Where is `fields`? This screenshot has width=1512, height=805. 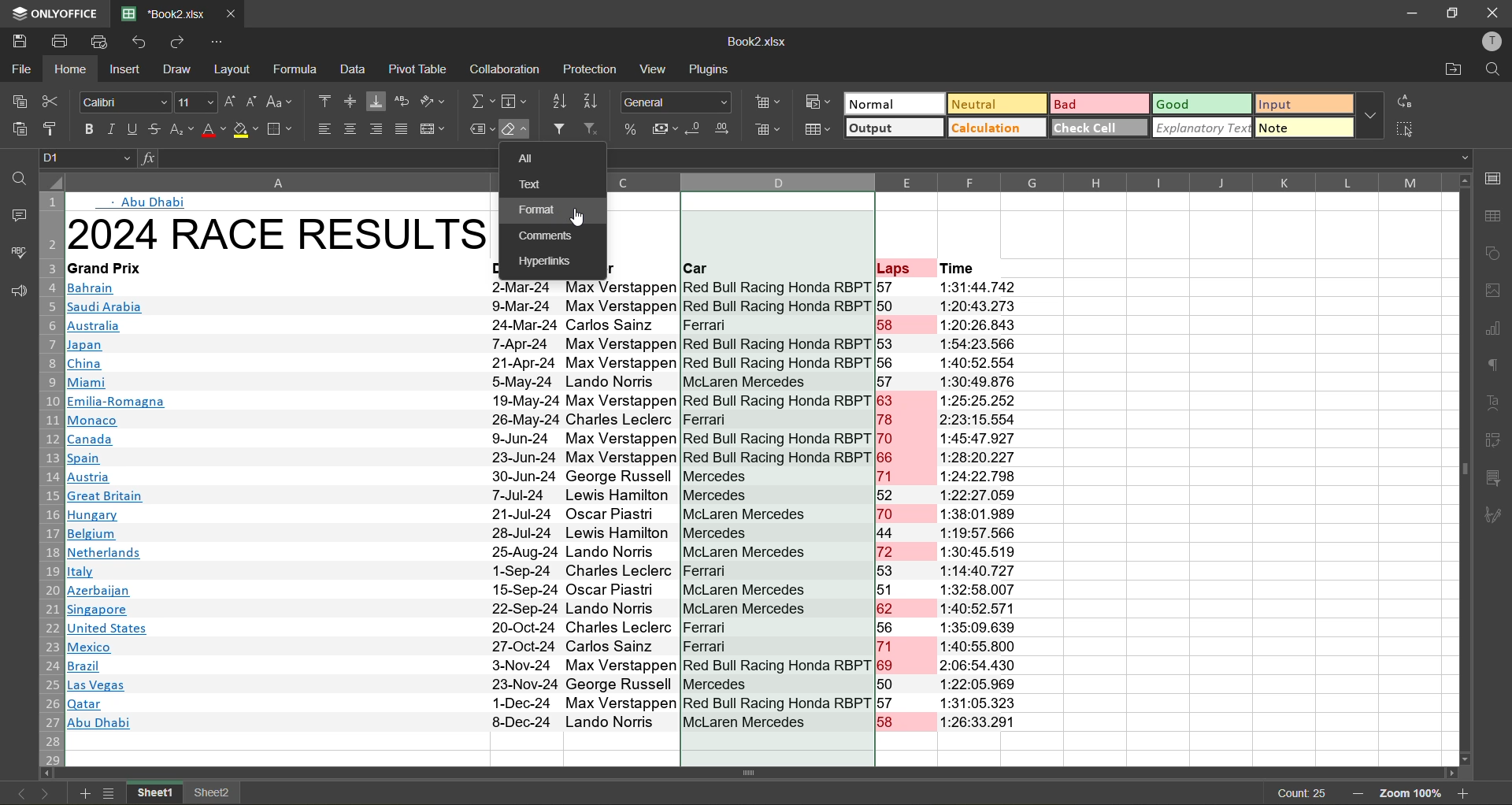 fields is located at coordinates (514, 99).